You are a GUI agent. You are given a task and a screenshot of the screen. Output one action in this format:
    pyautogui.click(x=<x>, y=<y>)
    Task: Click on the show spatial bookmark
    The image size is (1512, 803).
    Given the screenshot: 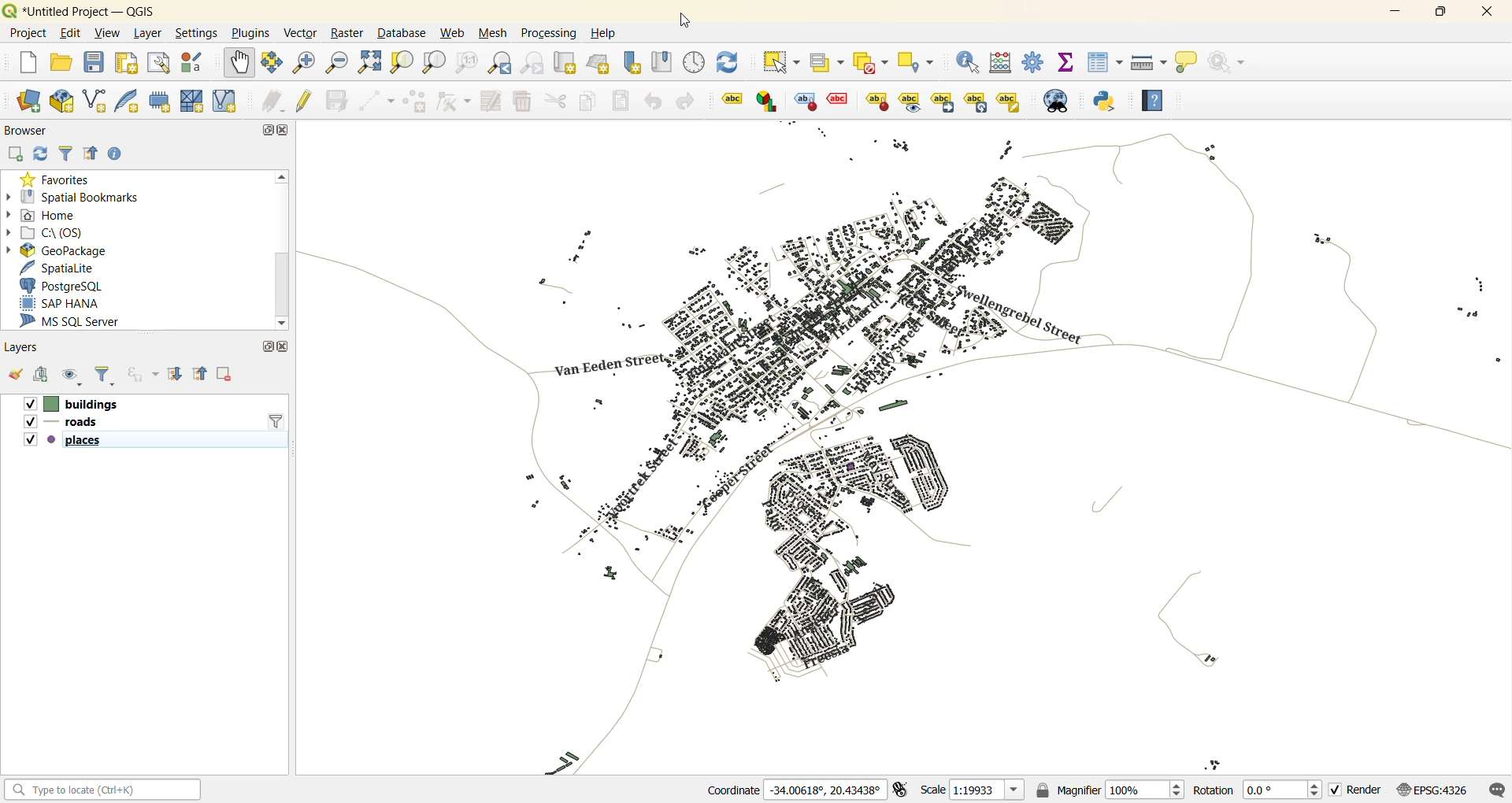 What is the action you would take?
    pyautogui.click(x=665, y=63)
    